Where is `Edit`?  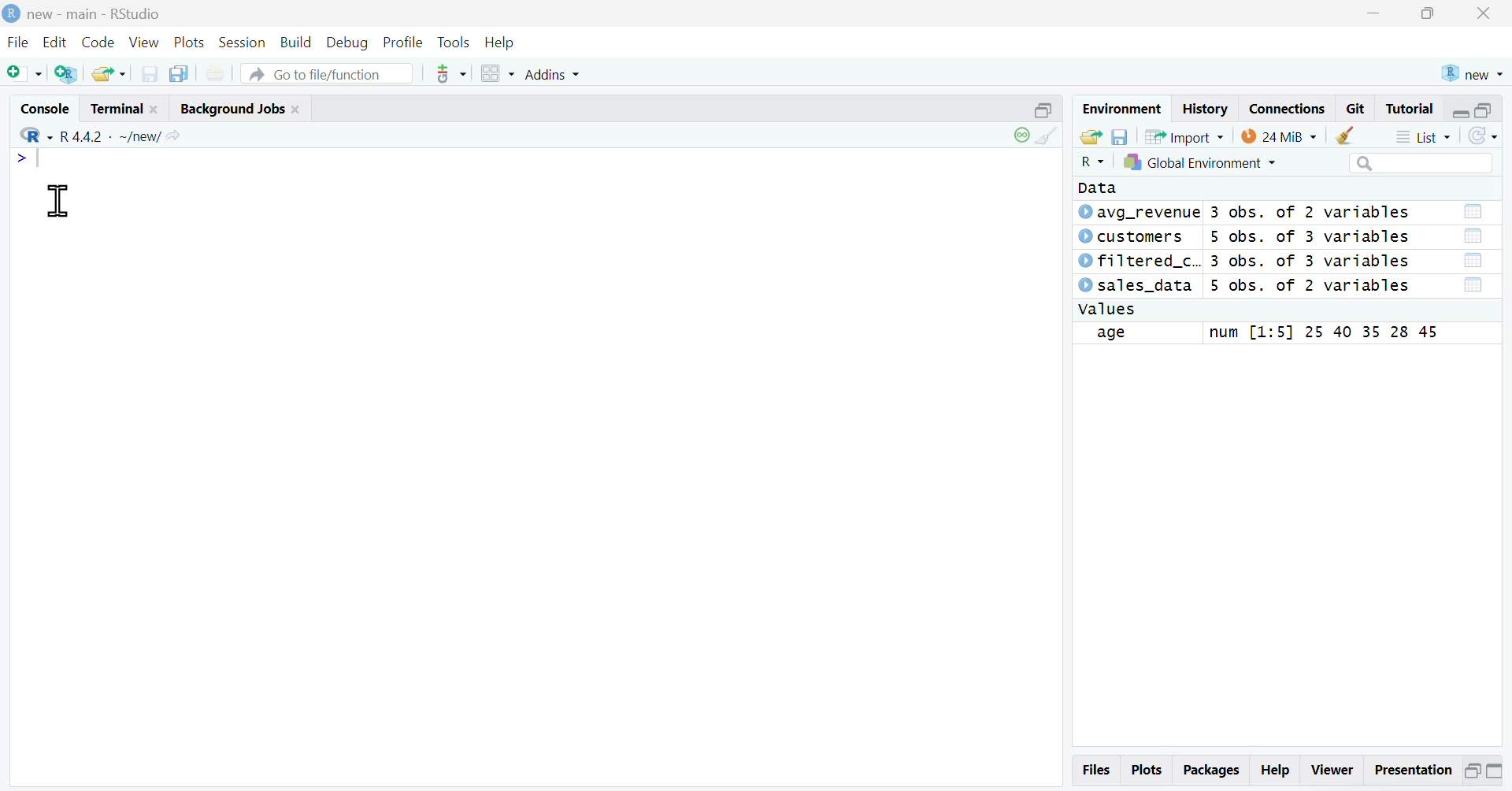
Edit is located at coordinates (54, 43).